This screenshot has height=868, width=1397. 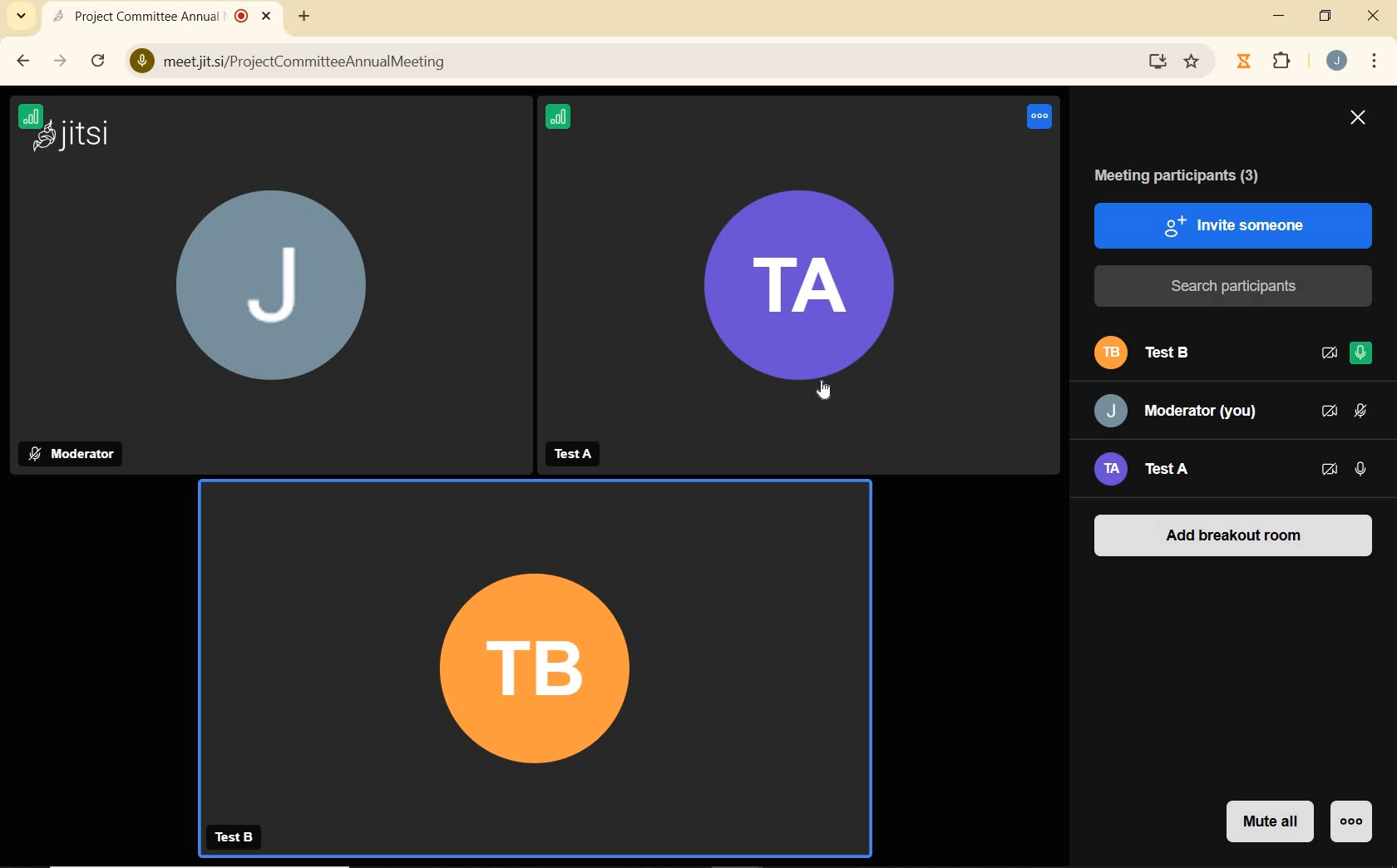 What do you see at coordinates (136, 60) in the screenshot?
I see `View site information` at bounding box center [136, 60].